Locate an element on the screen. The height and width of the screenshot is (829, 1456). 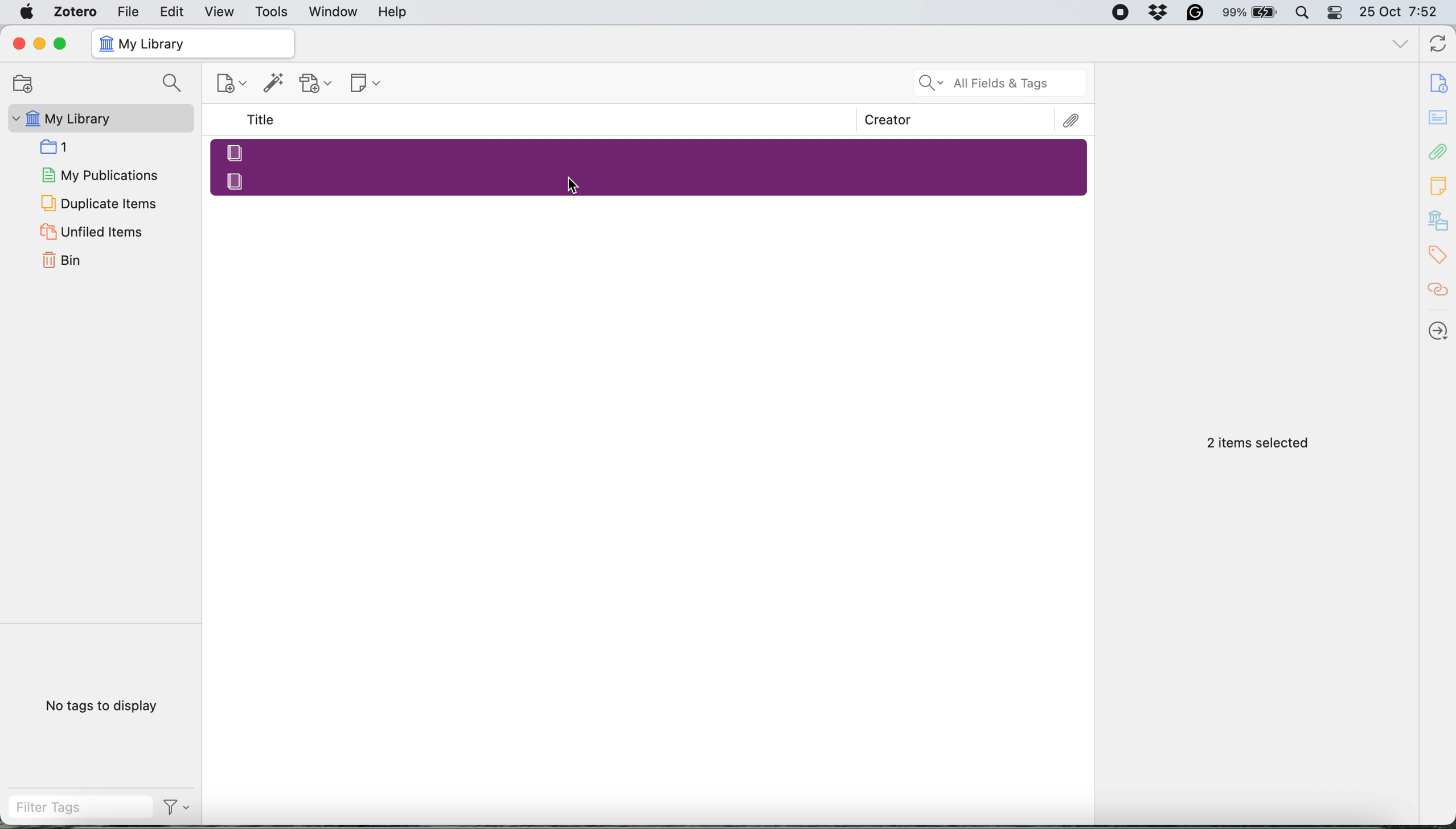
Close is located at coordinates (18, 43).